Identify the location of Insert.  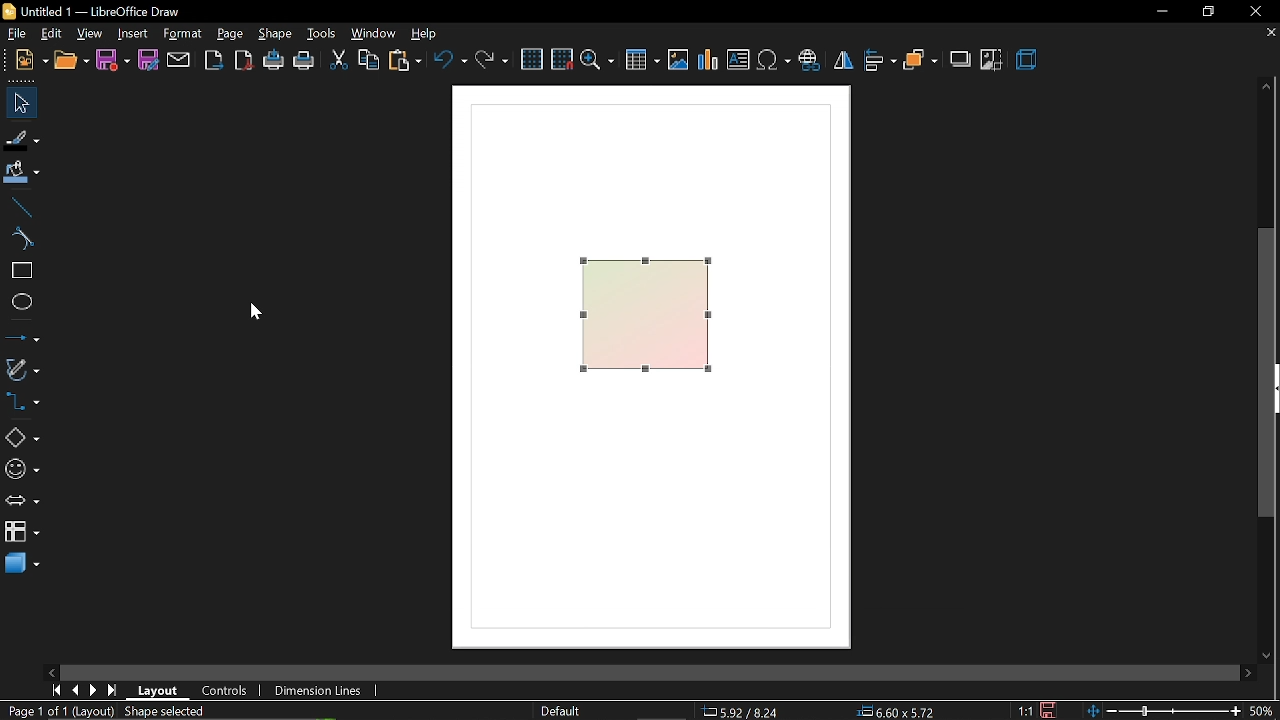
(134, 34).